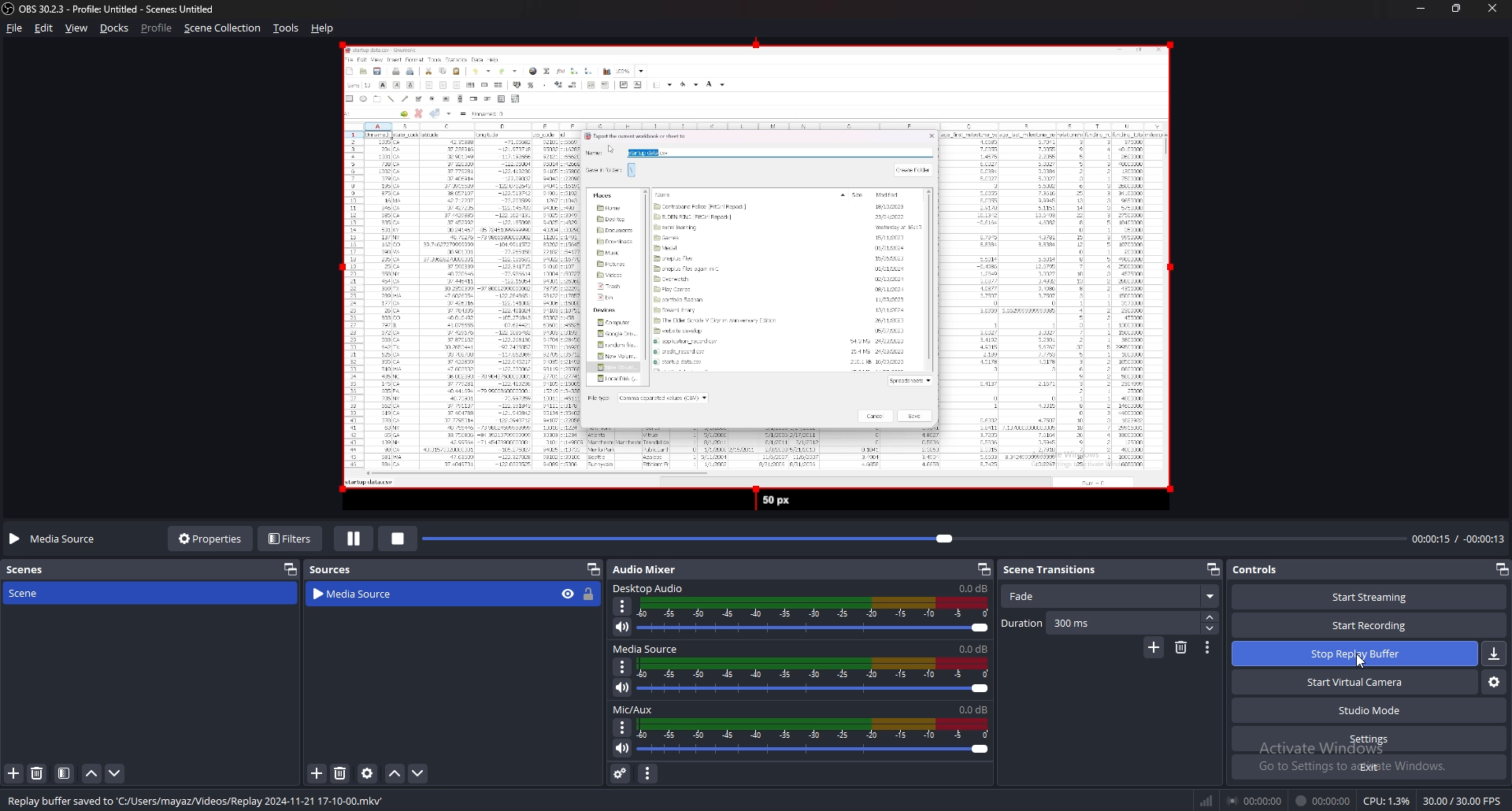  Describe the element at coordinates (15, 28) in the screenshot. I see `file` at that location.